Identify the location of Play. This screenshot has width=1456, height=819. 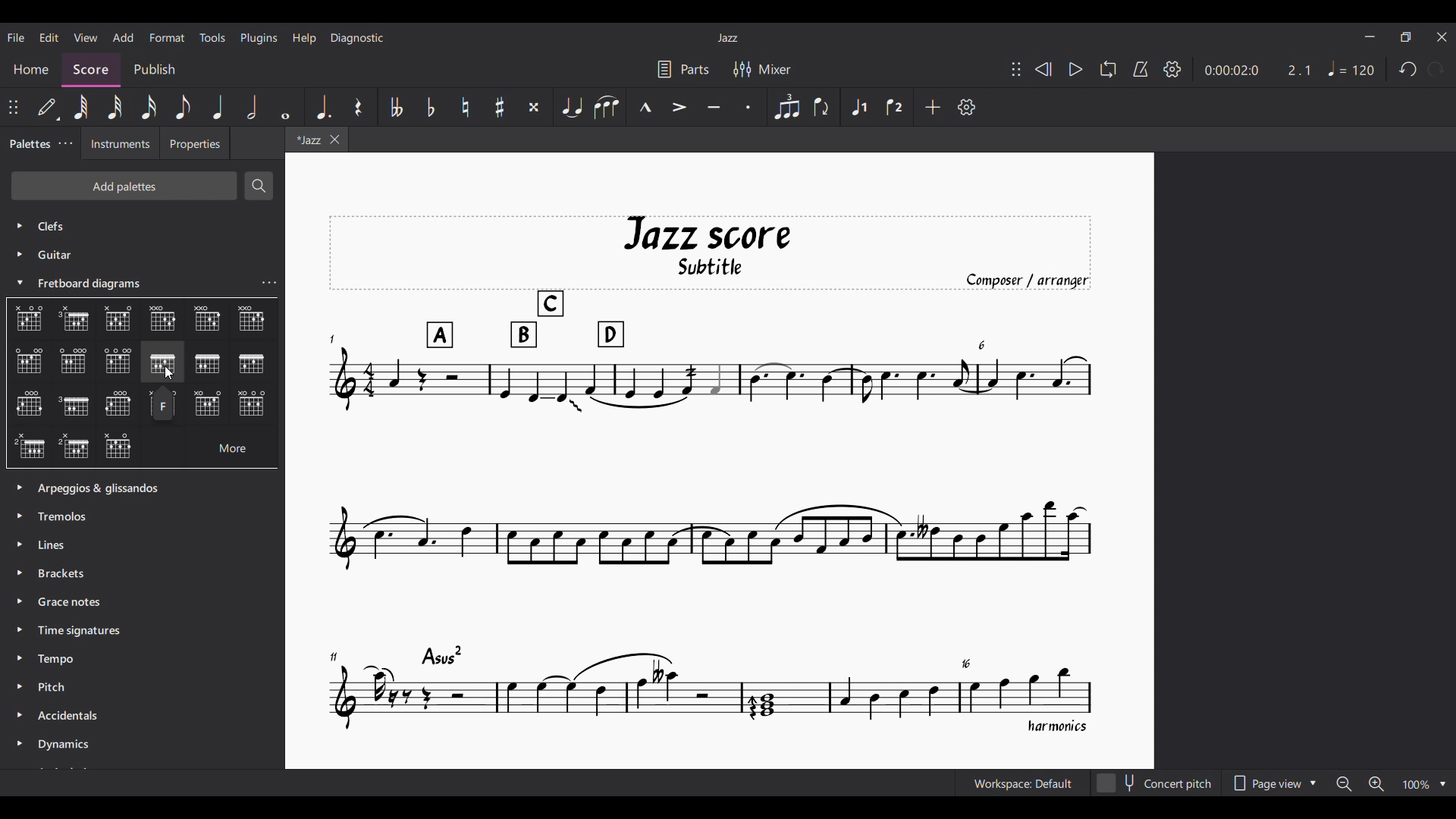
(1077, 70).